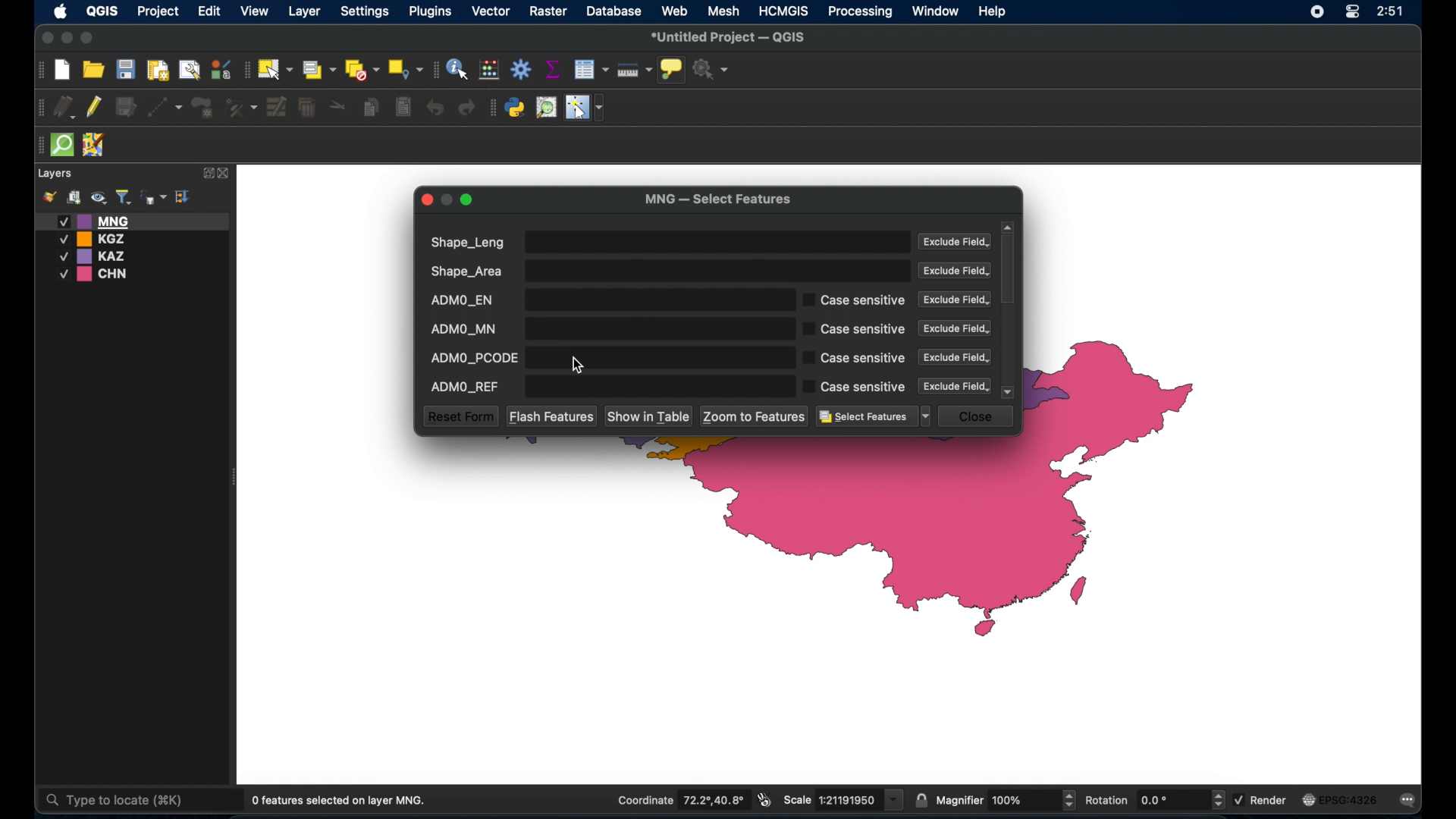 This screenshot has height=819, width=1456. Describe the element at coordinates (552, 69) in the screenshot. I see `show statistical summary` at that location.